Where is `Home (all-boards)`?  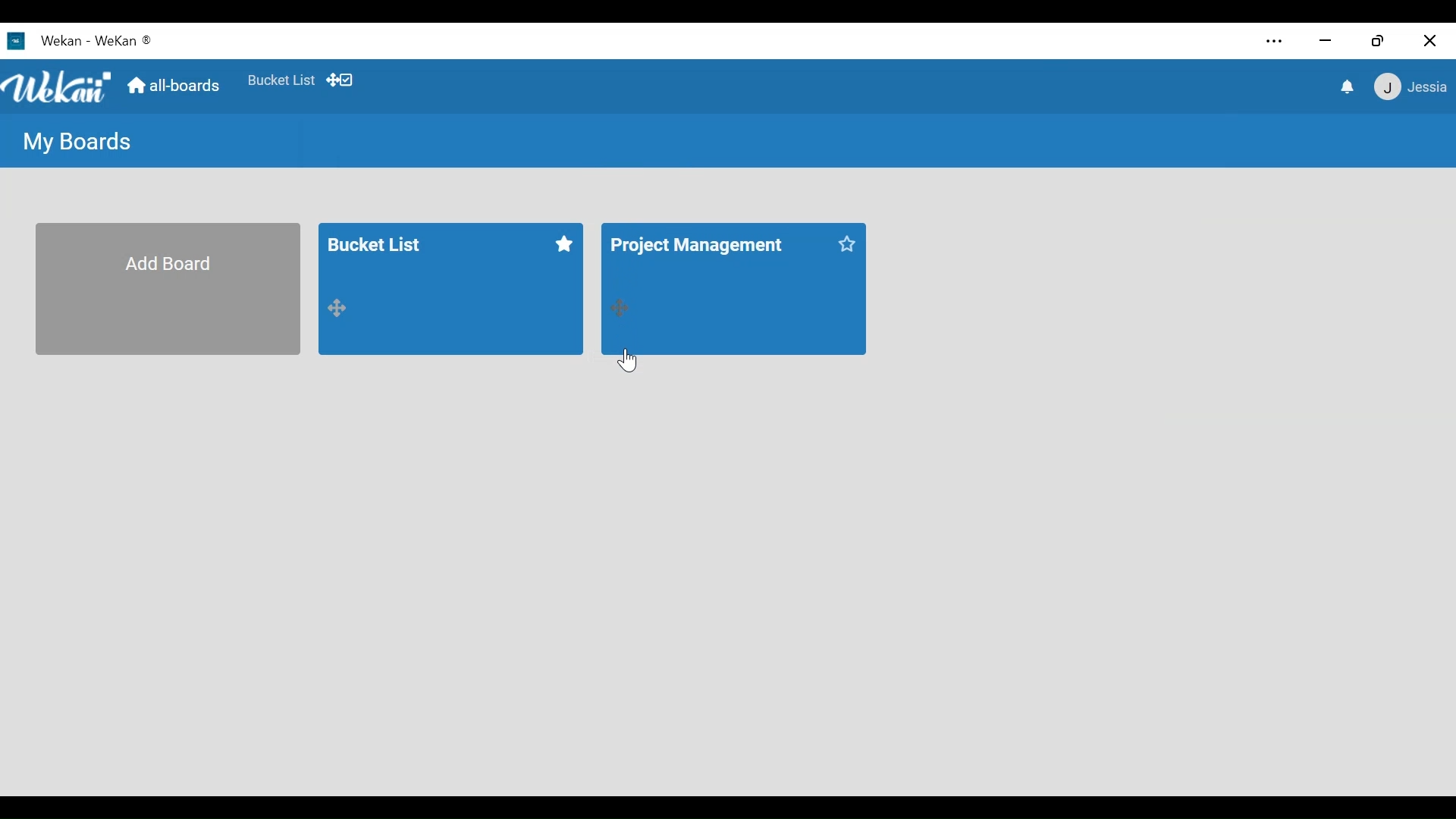
Home (all-boards) is located at coordinates (176, 88).